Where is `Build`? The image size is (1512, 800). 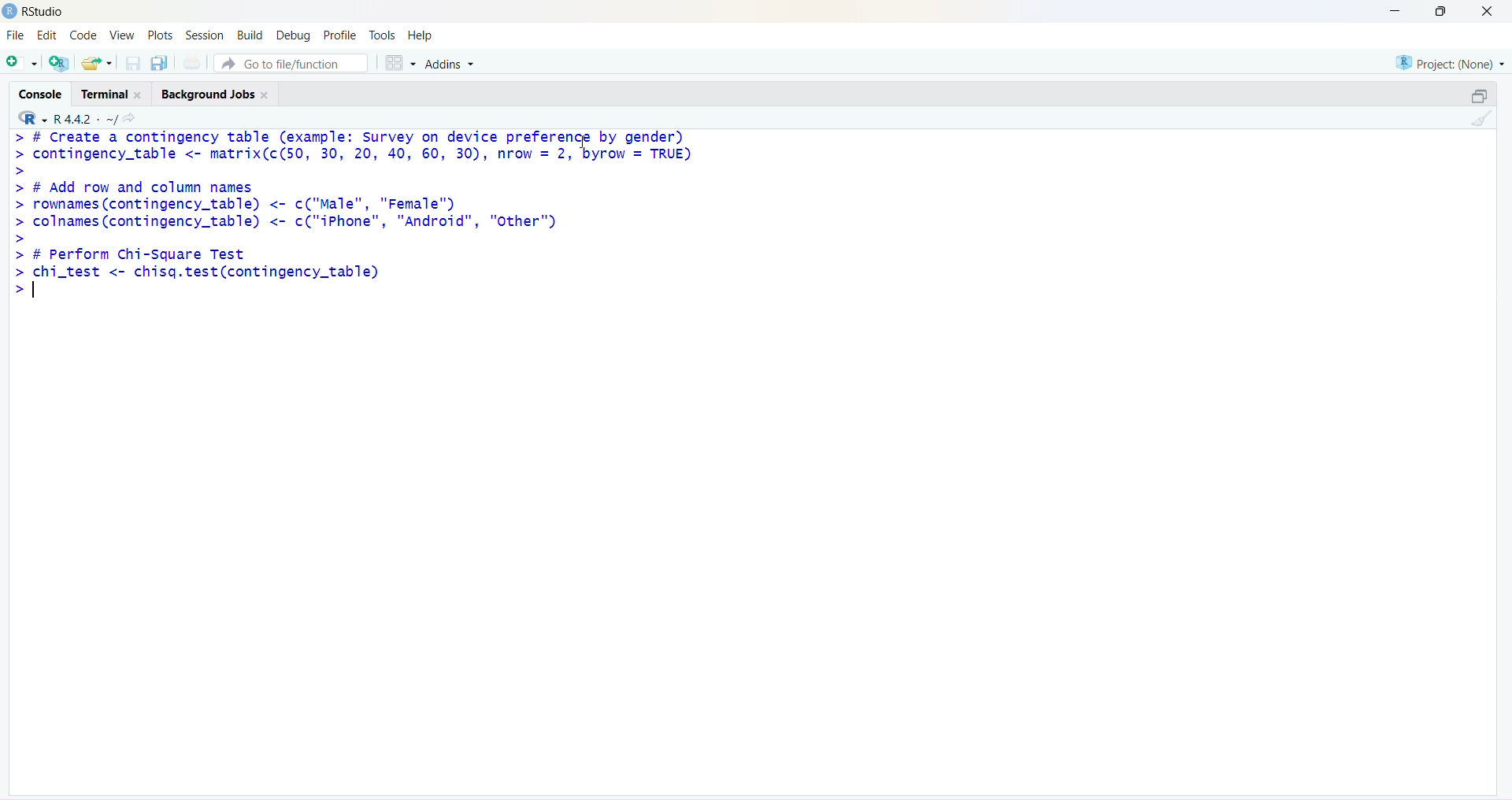
Build is located at coordinates (250, 35).